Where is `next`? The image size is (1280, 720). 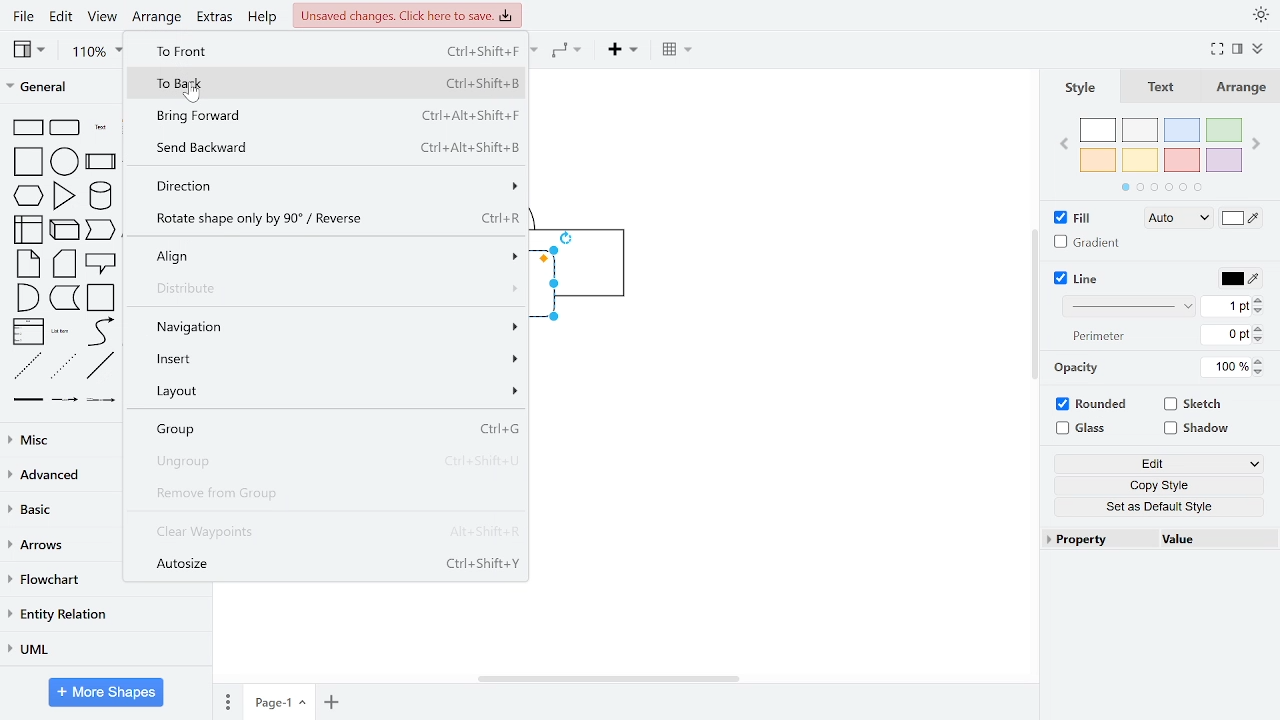
next is located at coordinates (1256, 142).